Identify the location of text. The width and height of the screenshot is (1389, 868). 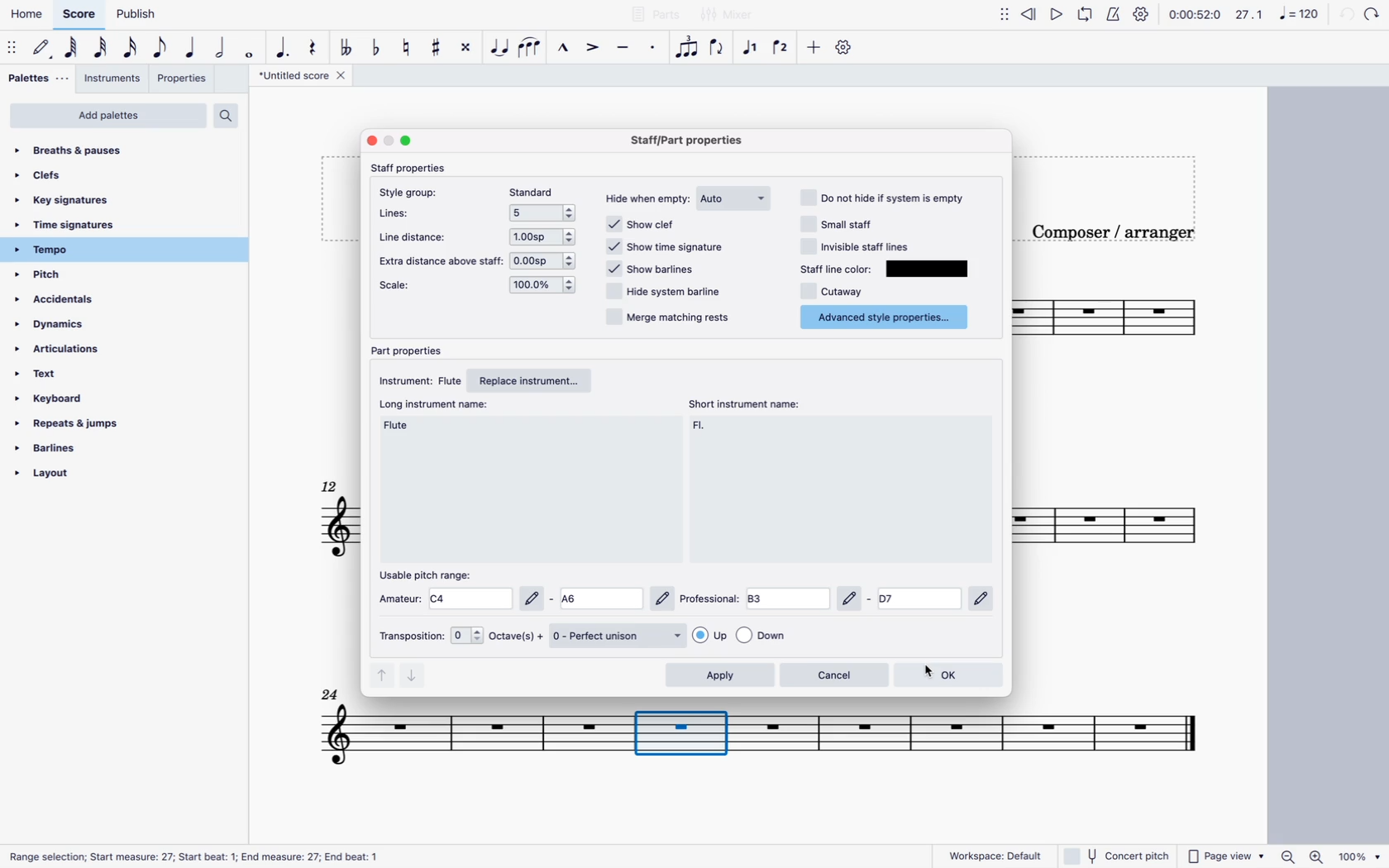
(69, 374).